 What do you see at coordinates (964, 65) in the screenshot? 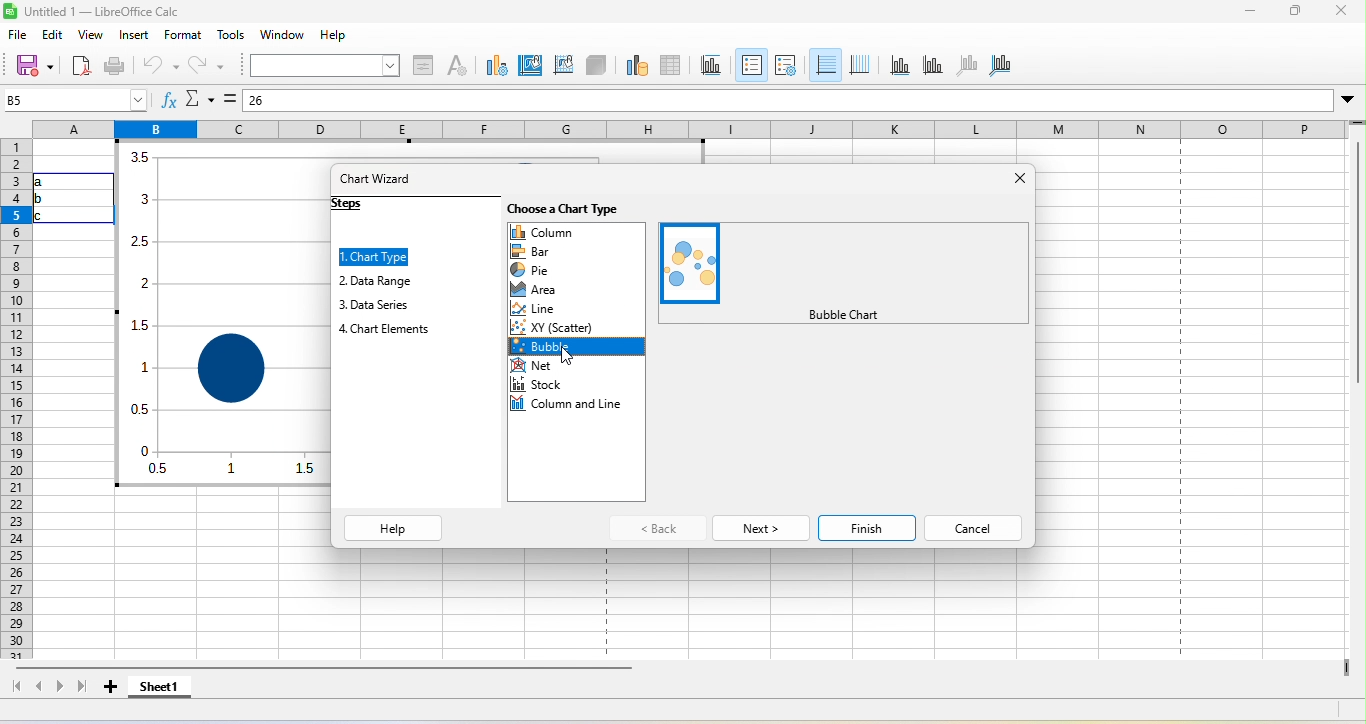
I see `z axis` at bounding box center [964, 65].